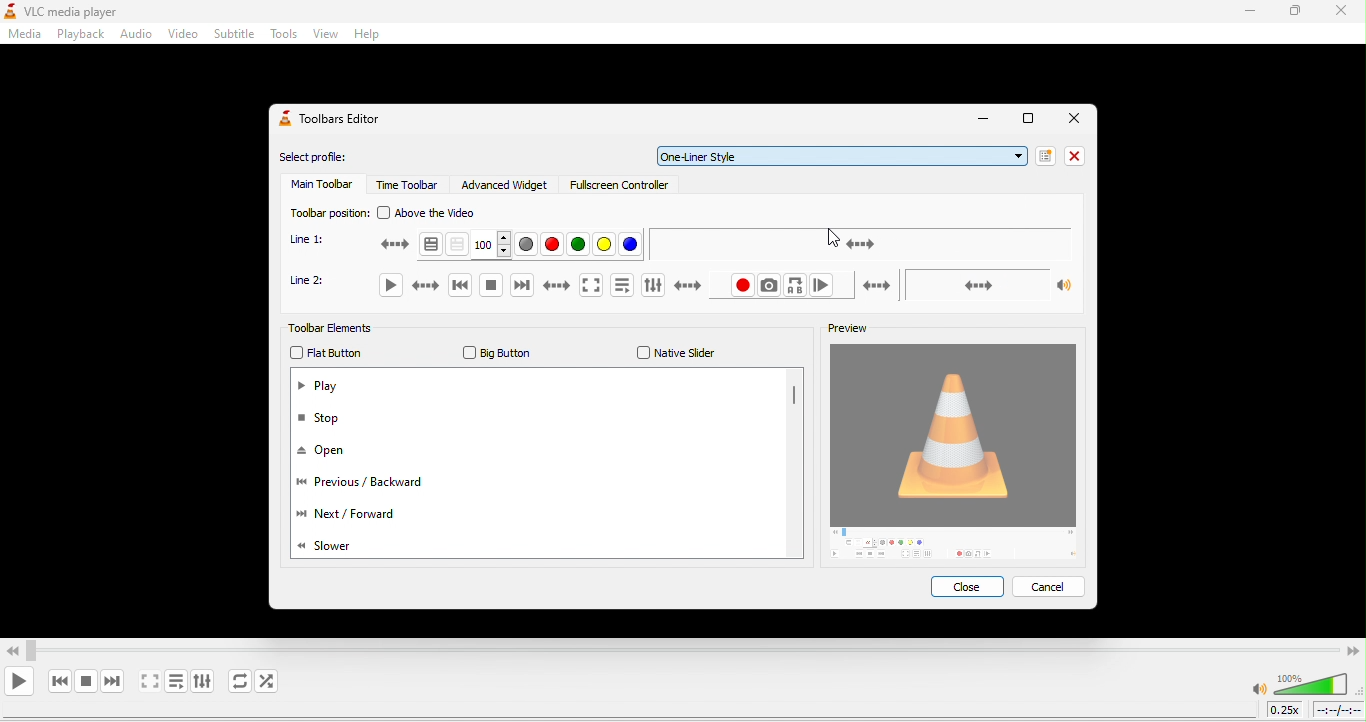 The image size is (1366, 722). What do you see at coordinates (966, 586) in the screenshot?
I see `close` at bounding box center [966, 586].